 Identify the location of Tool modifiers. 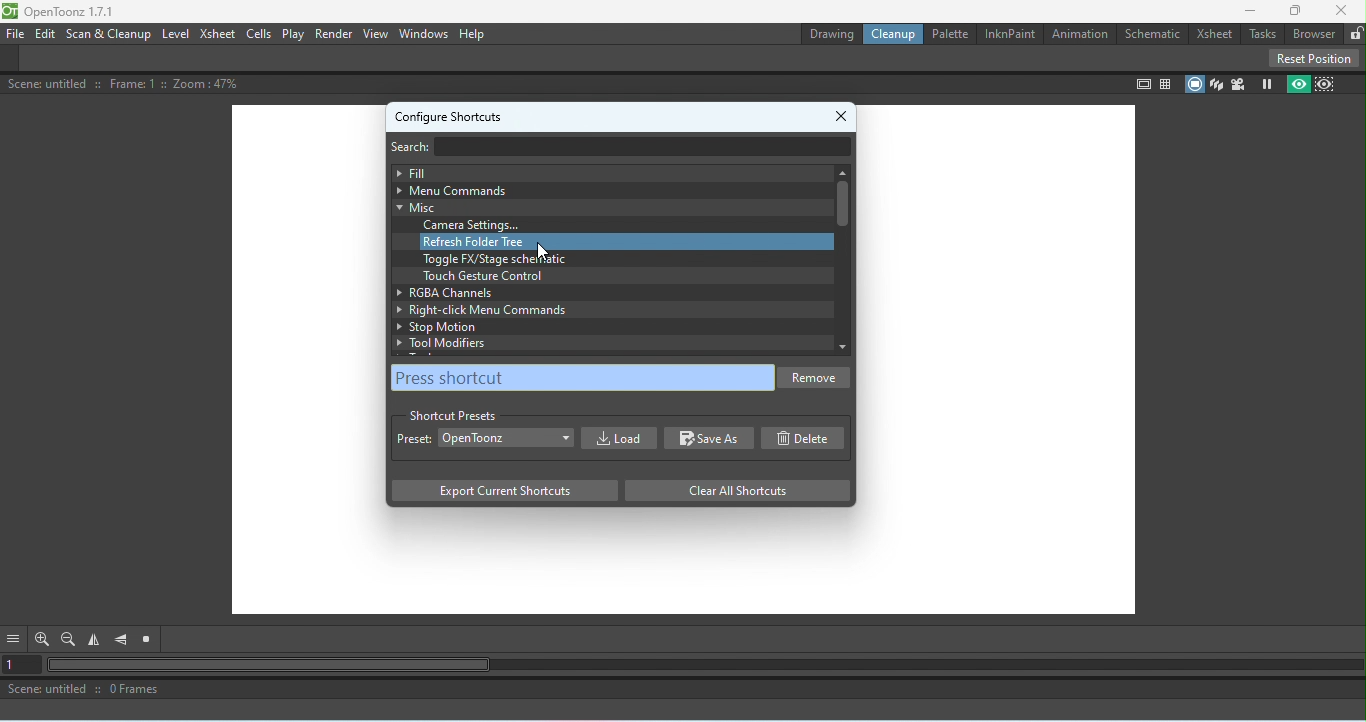
(611, 342).